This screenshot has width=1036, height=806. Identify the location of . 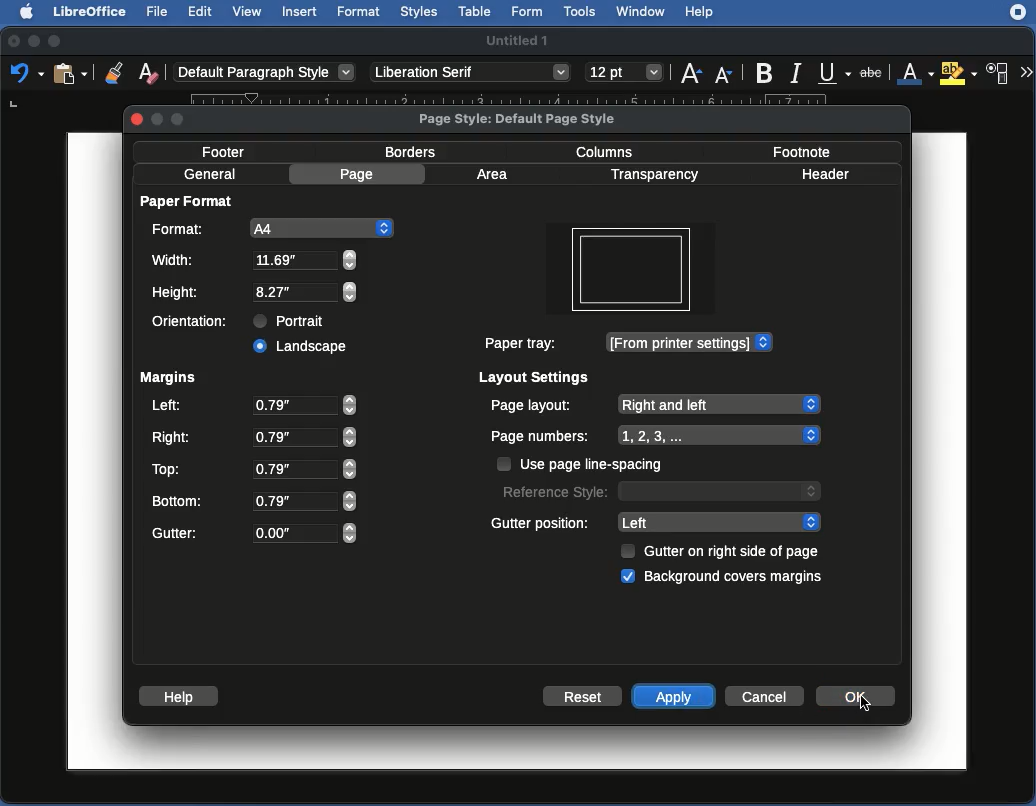
(472, 74).